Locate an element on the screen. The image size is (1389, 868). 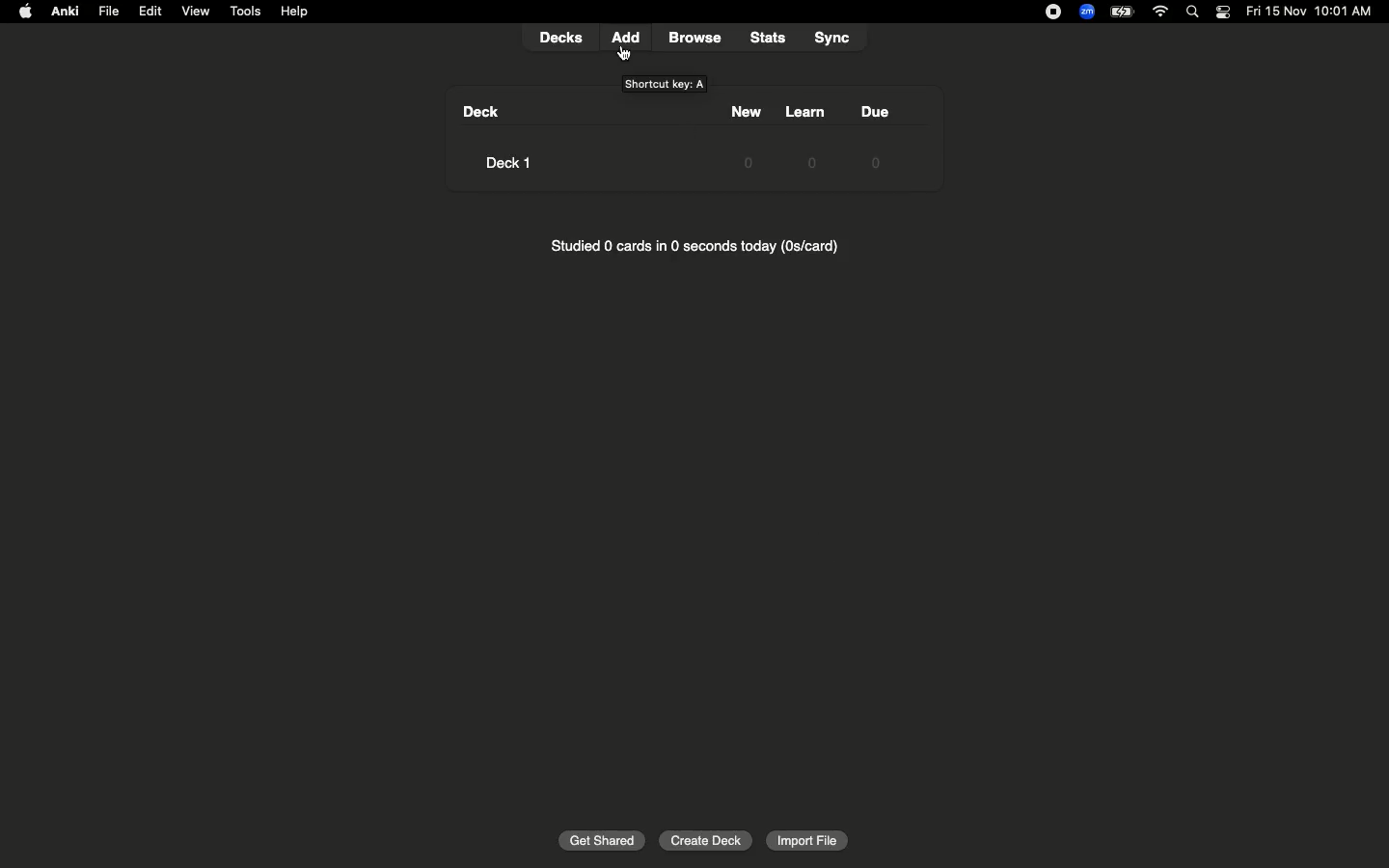
cursor is located at coordinates (626, 55).